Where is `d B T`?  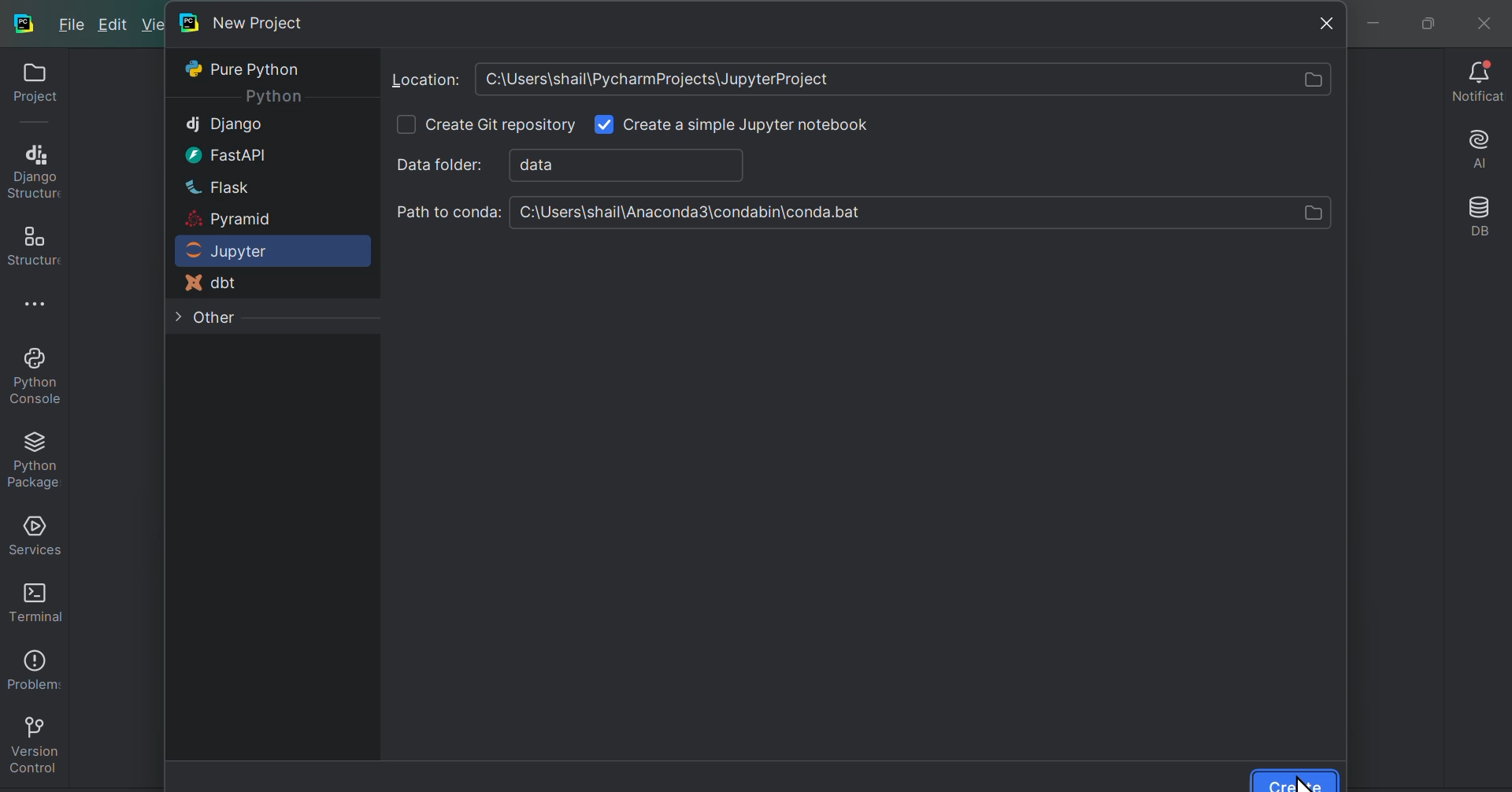 d B T is located at coordinates (220, 284).